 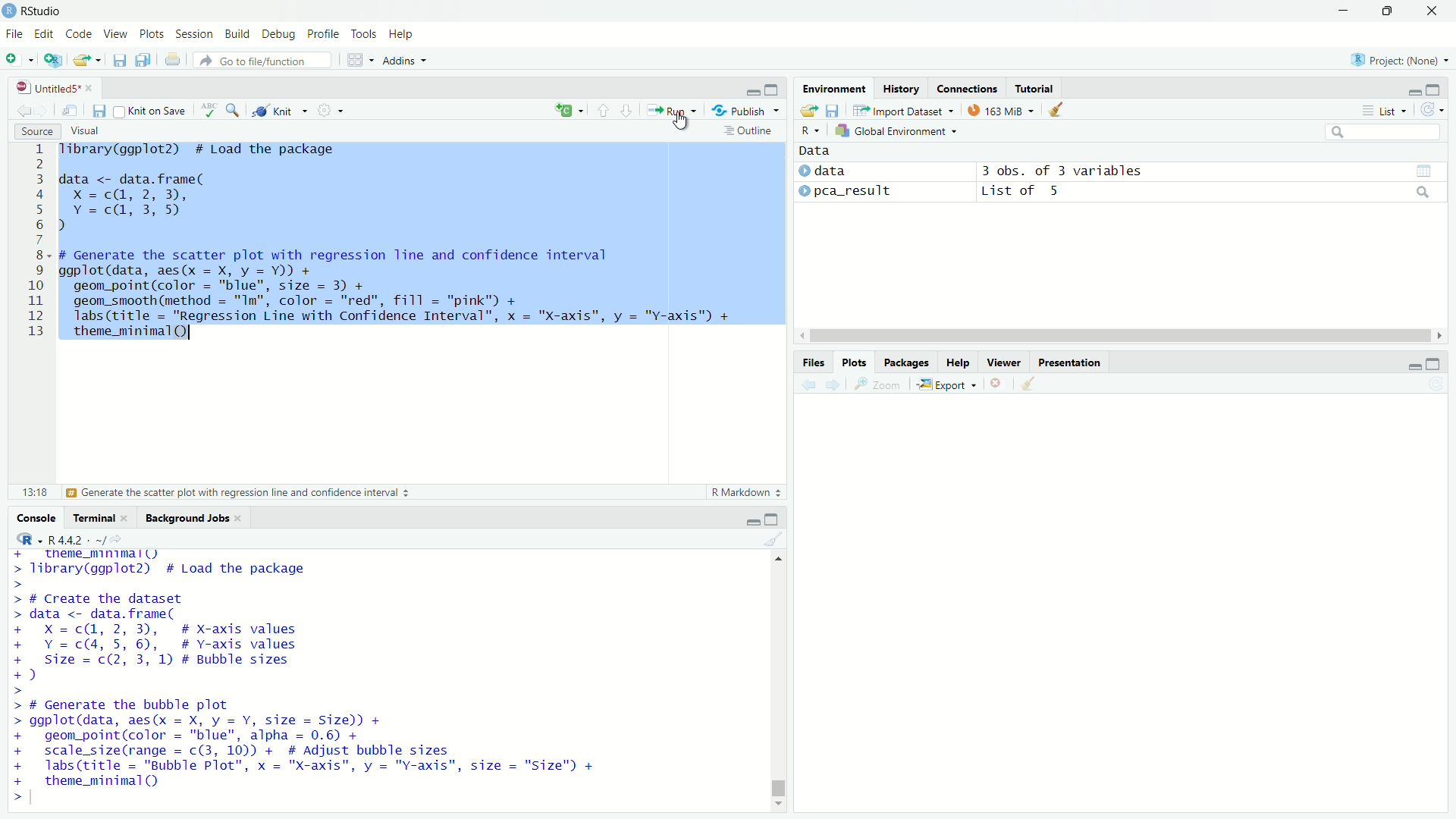 I want to click on Run, so click(x=672, y=110).